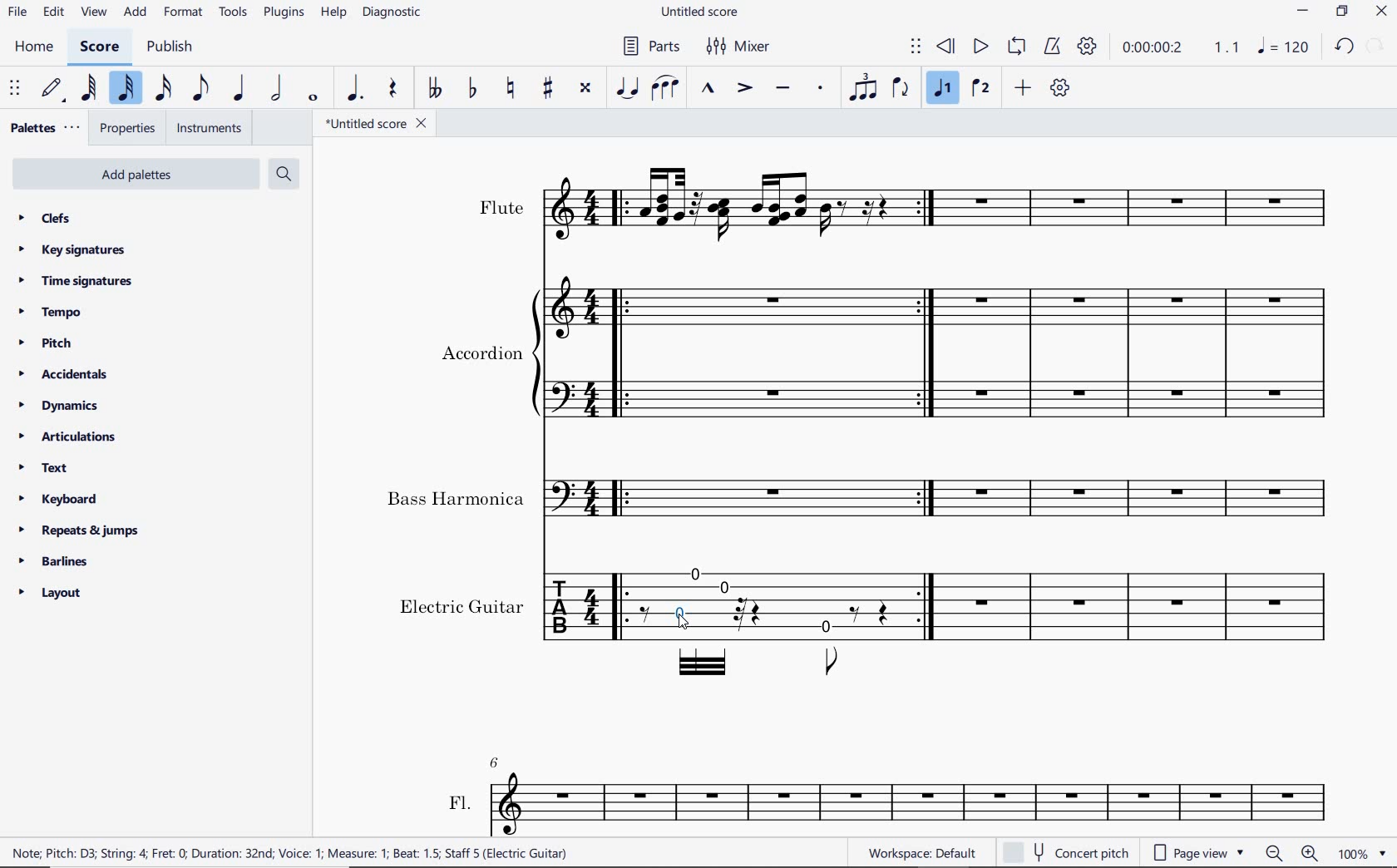 Image resolution: width=1397 pixels, height=868 pixels. What do you see at coordinates (94, 13) in the screenshot?
I see `view` at bounding box center [94, 13].